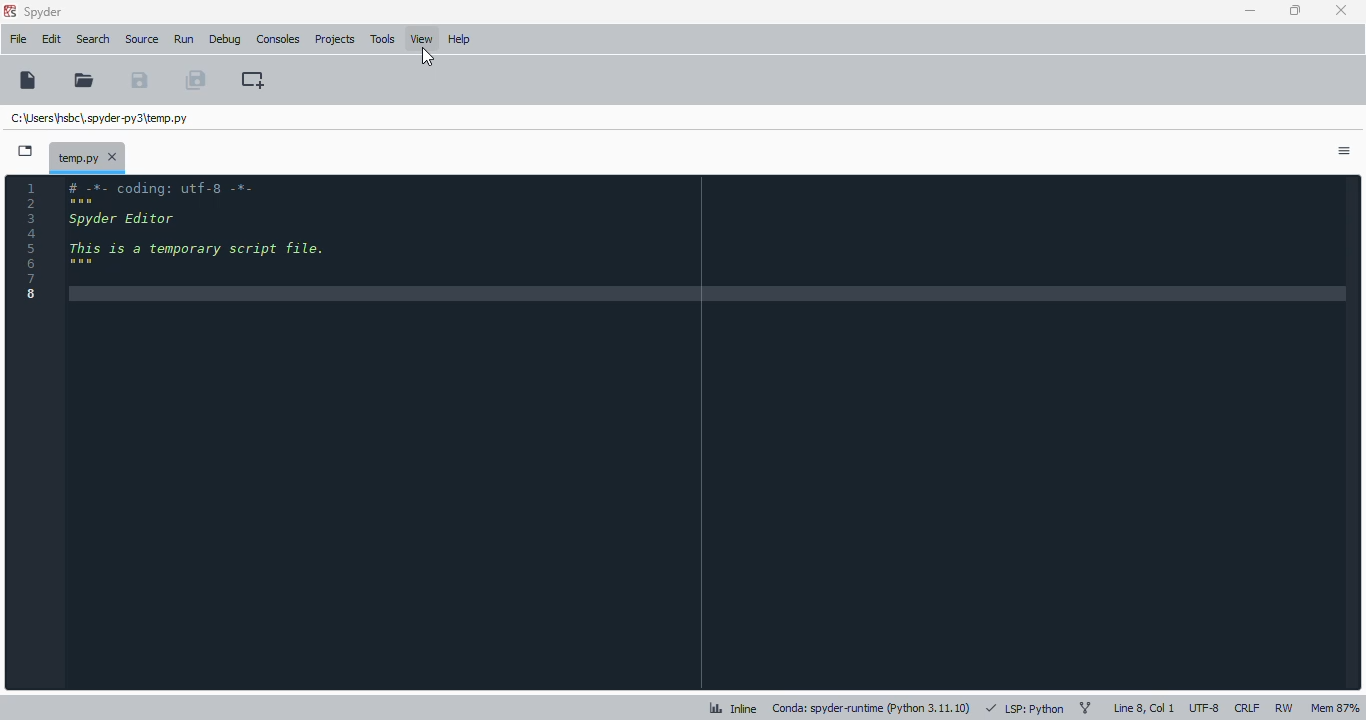 Image resolution: width=1366 pixels, height=720 pixels. What do you see at coordinates (458, 40) in the screenshot?
I see `help` at bounding box center [458, 40].